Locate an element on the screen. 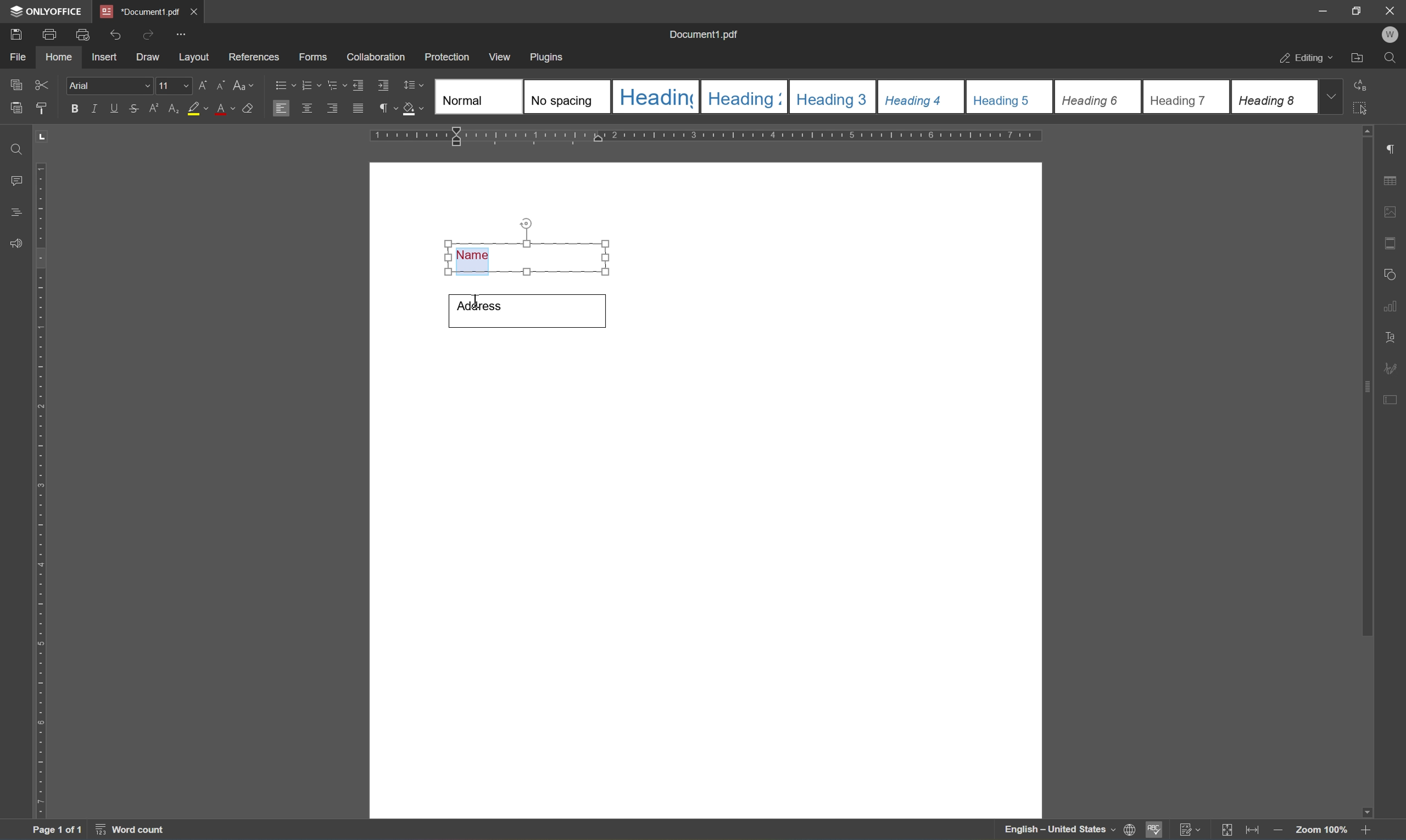 The width and height of the screenshot is (1406, 840). replace is located at coordinates (1365, 85).